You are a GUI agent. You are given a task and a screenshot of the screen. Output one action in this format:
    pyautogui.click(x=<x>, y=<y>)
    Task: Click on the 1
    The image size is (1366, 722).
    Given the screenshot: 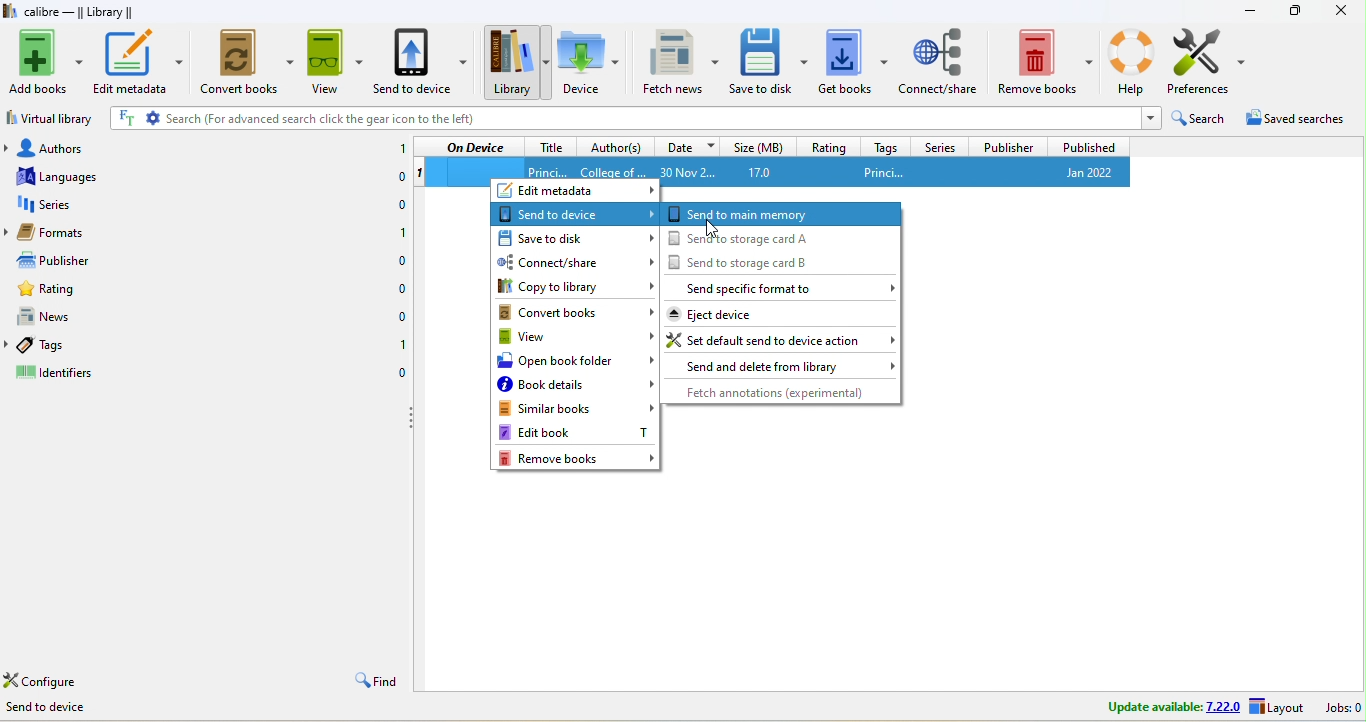 What is the action you would take?
    pyautogui.click(x=420, y=173)
    